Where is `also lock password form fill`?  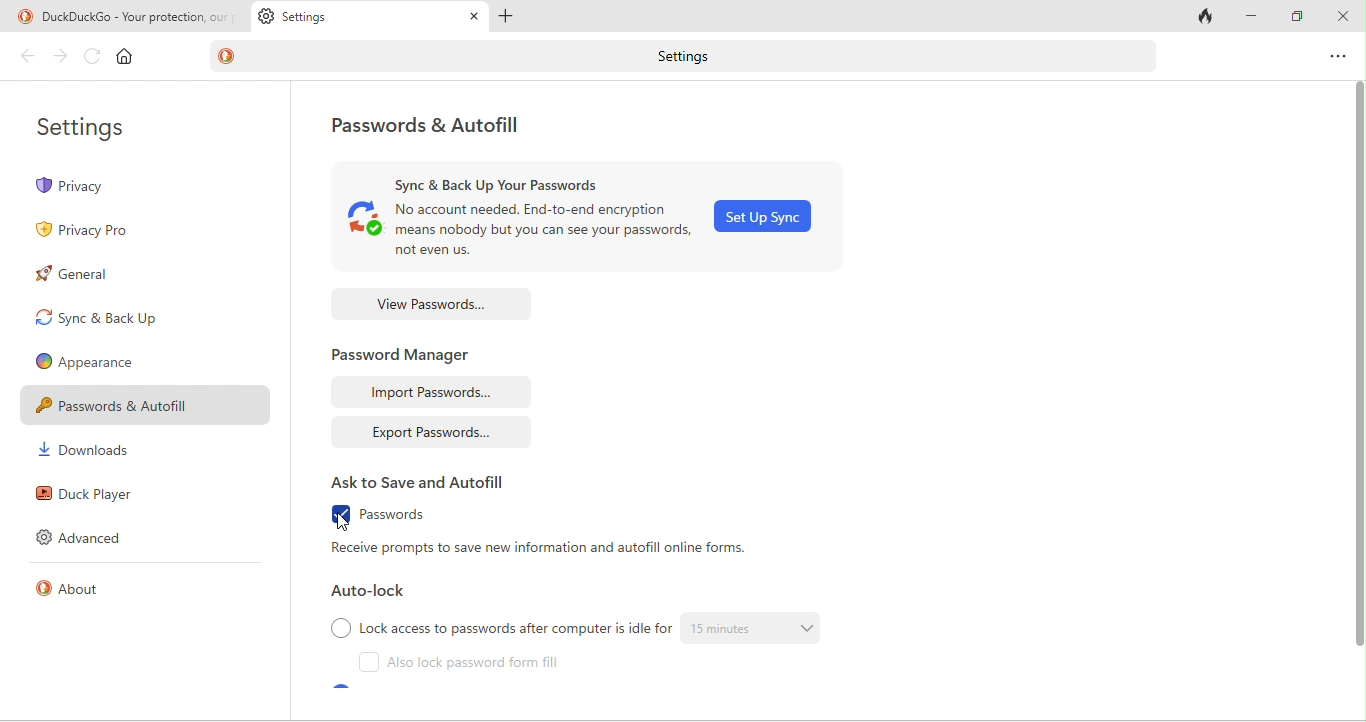 also lock password form fill is located at coordinates (483, 663).